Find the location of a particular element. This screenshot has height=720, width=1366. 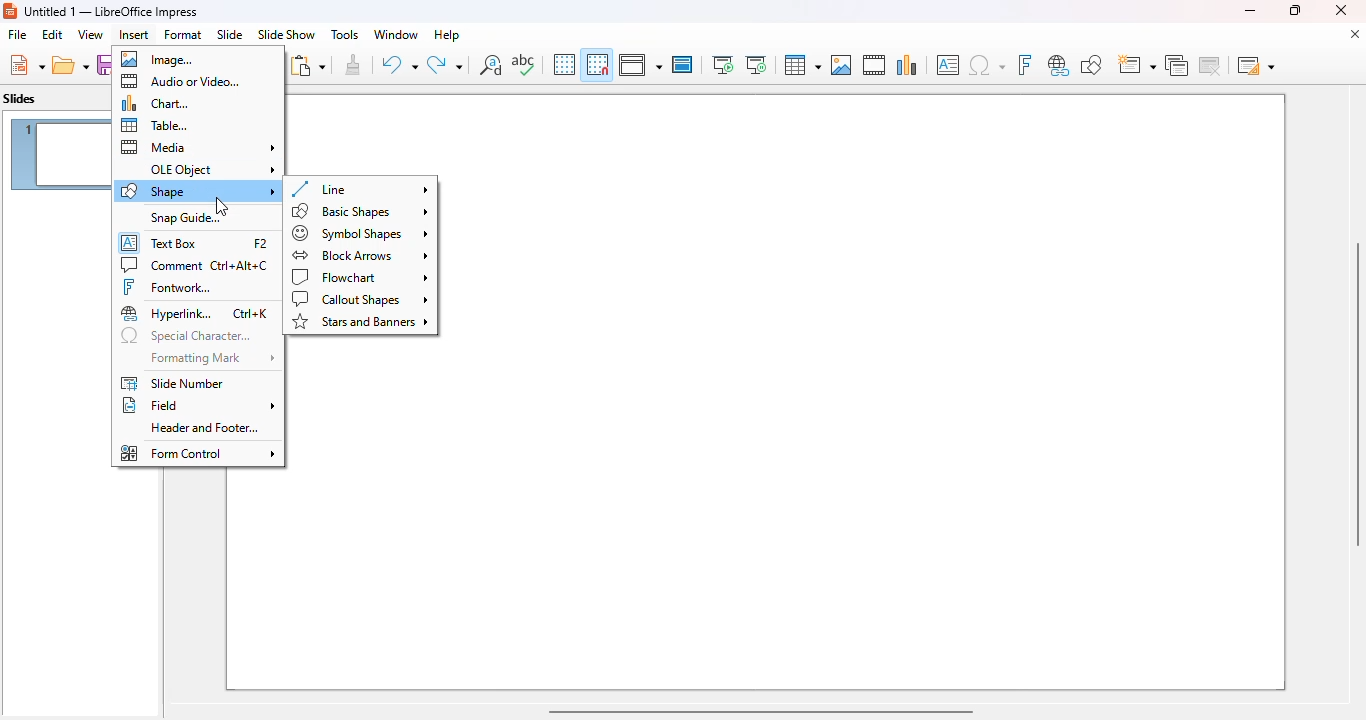

fontwork is located at coordinates (167, 287).